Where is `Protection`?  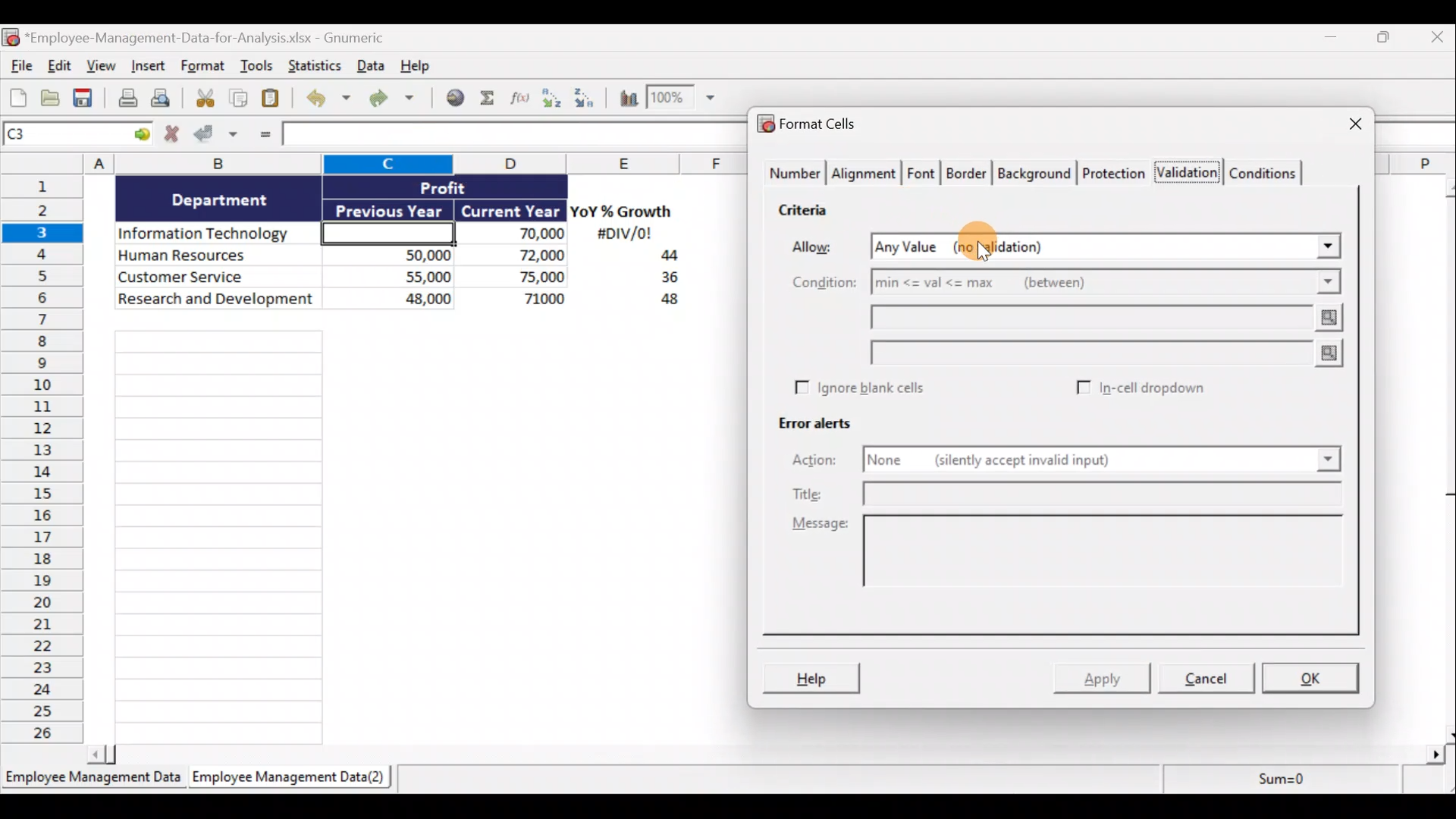 Protection is located at coordinates (1113, 171).